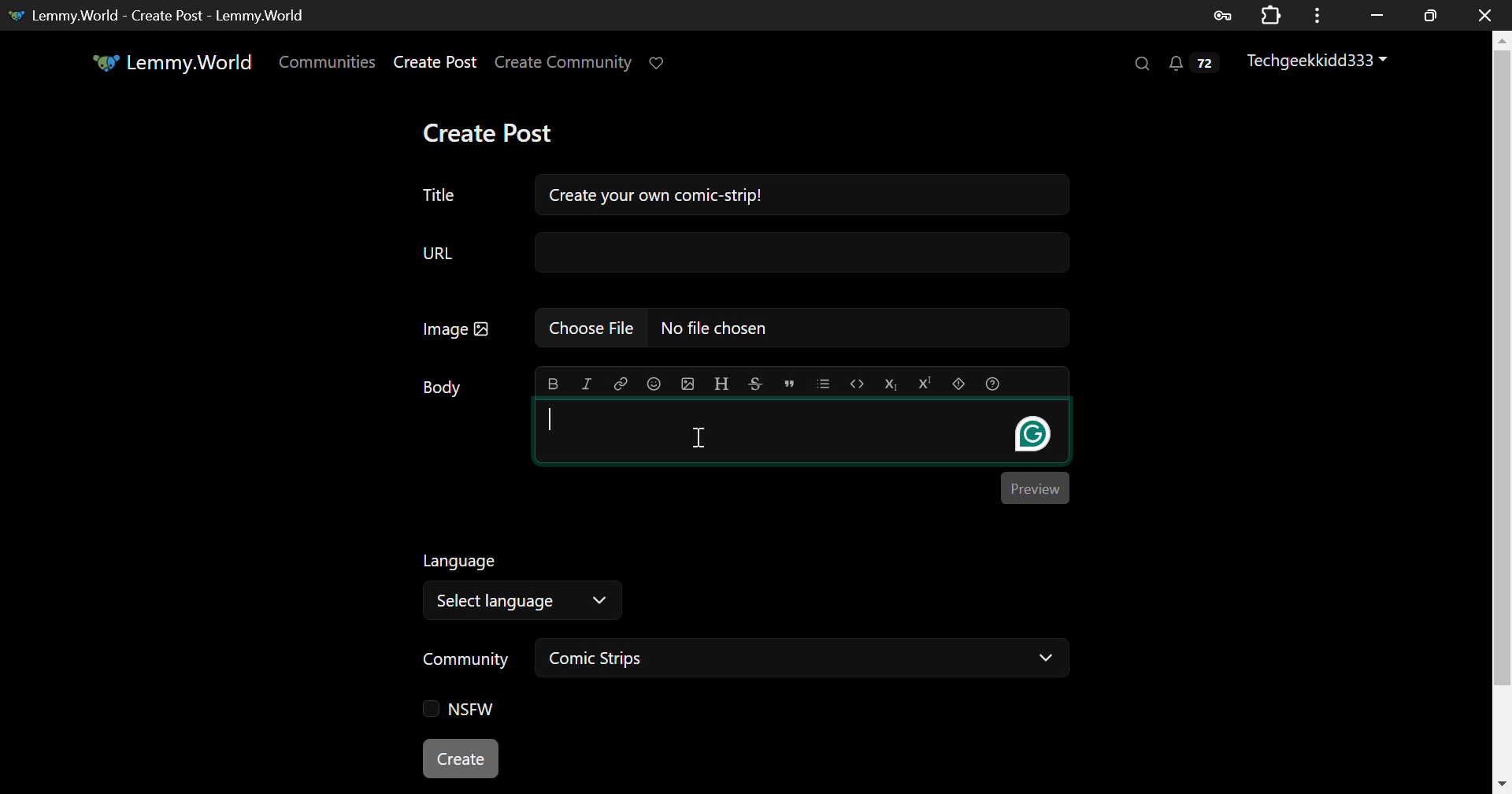  I want to click on Title, so click(439, 195).